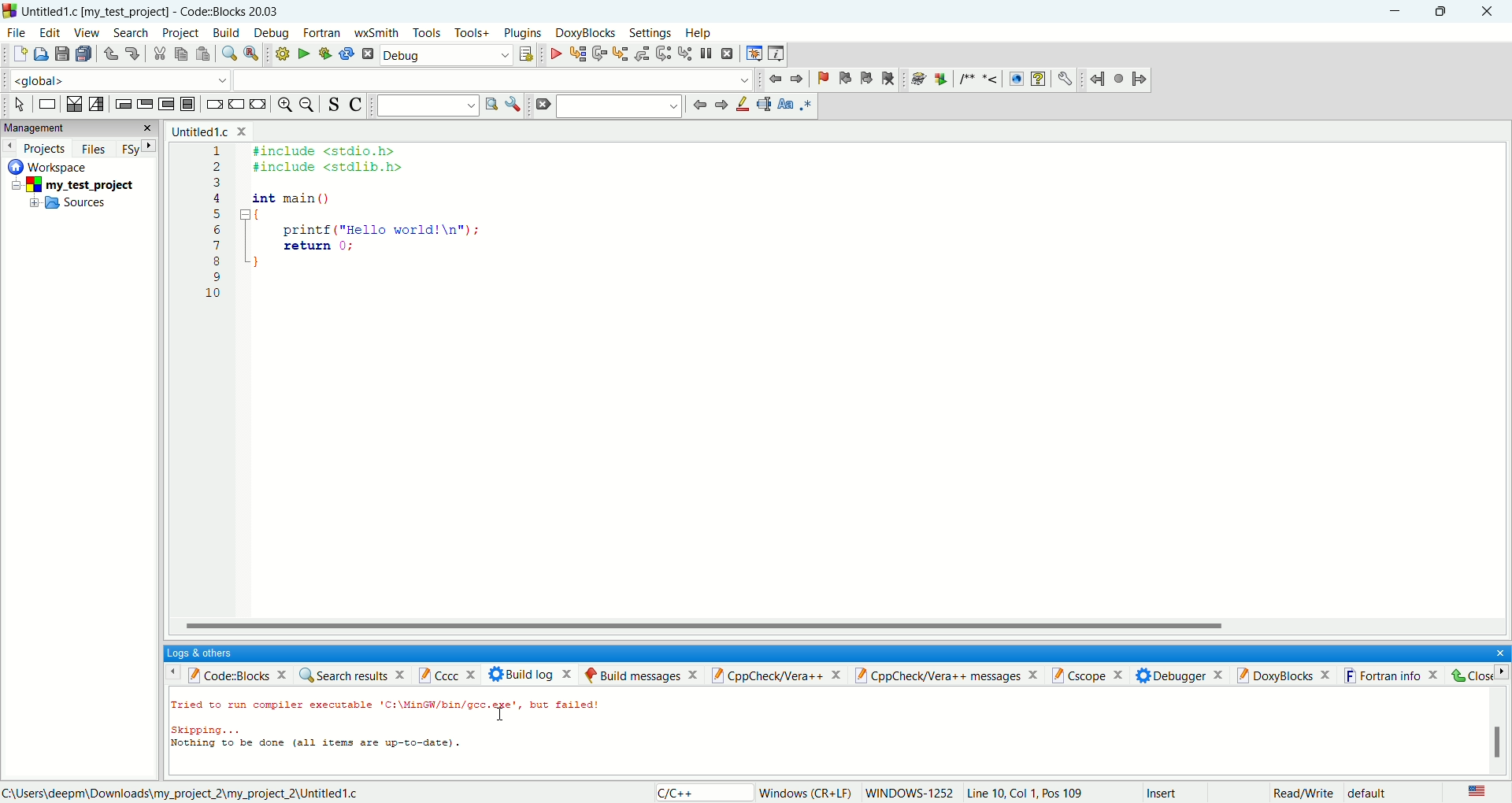 Image resolution: width=1512 pixels, height=803 pixels. Describe the element at coordinates (169, 105) in the screenshot. I see `counting loop` at that location.